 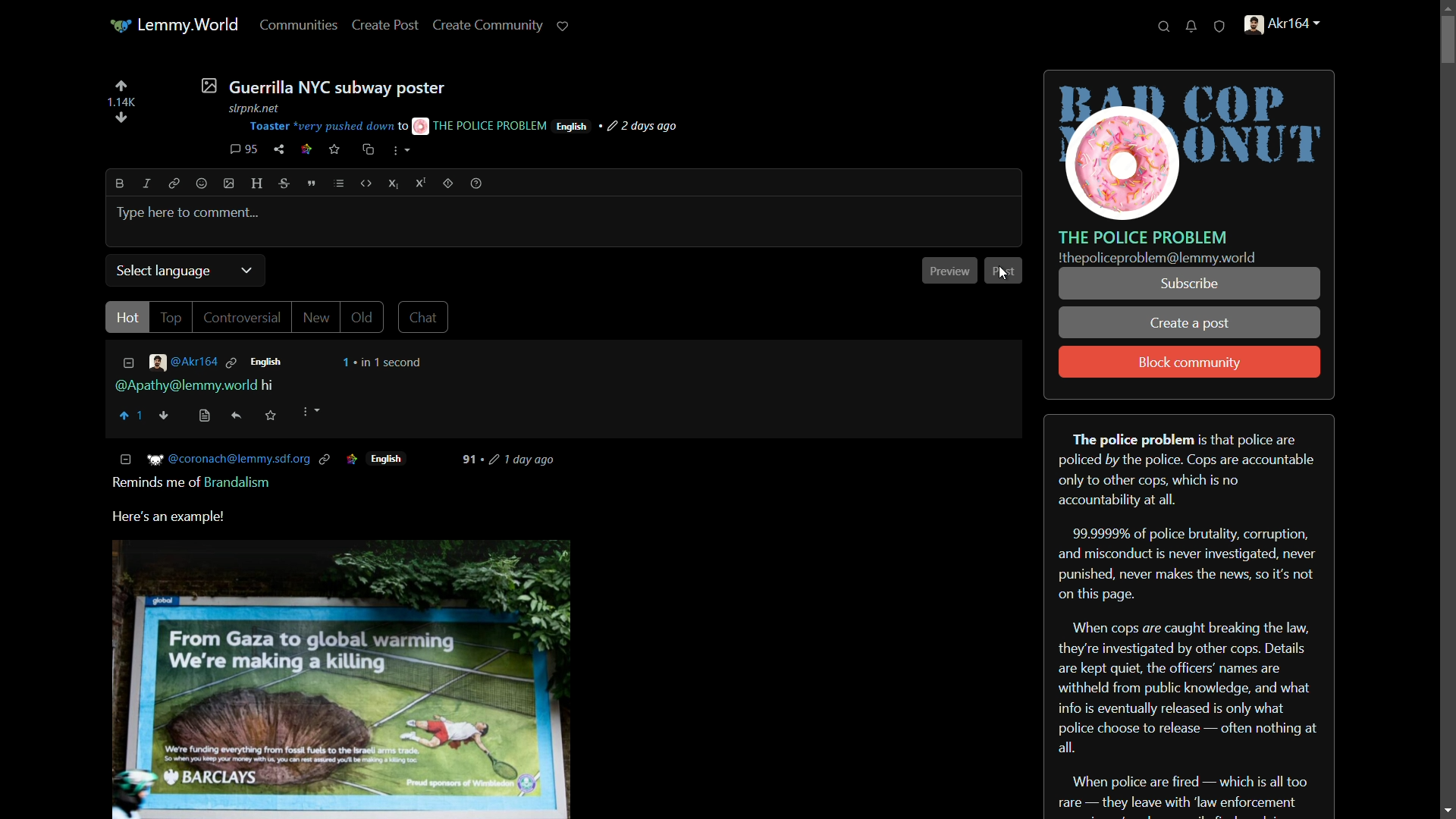 I want to click on Brandalism, so click(x=241, y=482).